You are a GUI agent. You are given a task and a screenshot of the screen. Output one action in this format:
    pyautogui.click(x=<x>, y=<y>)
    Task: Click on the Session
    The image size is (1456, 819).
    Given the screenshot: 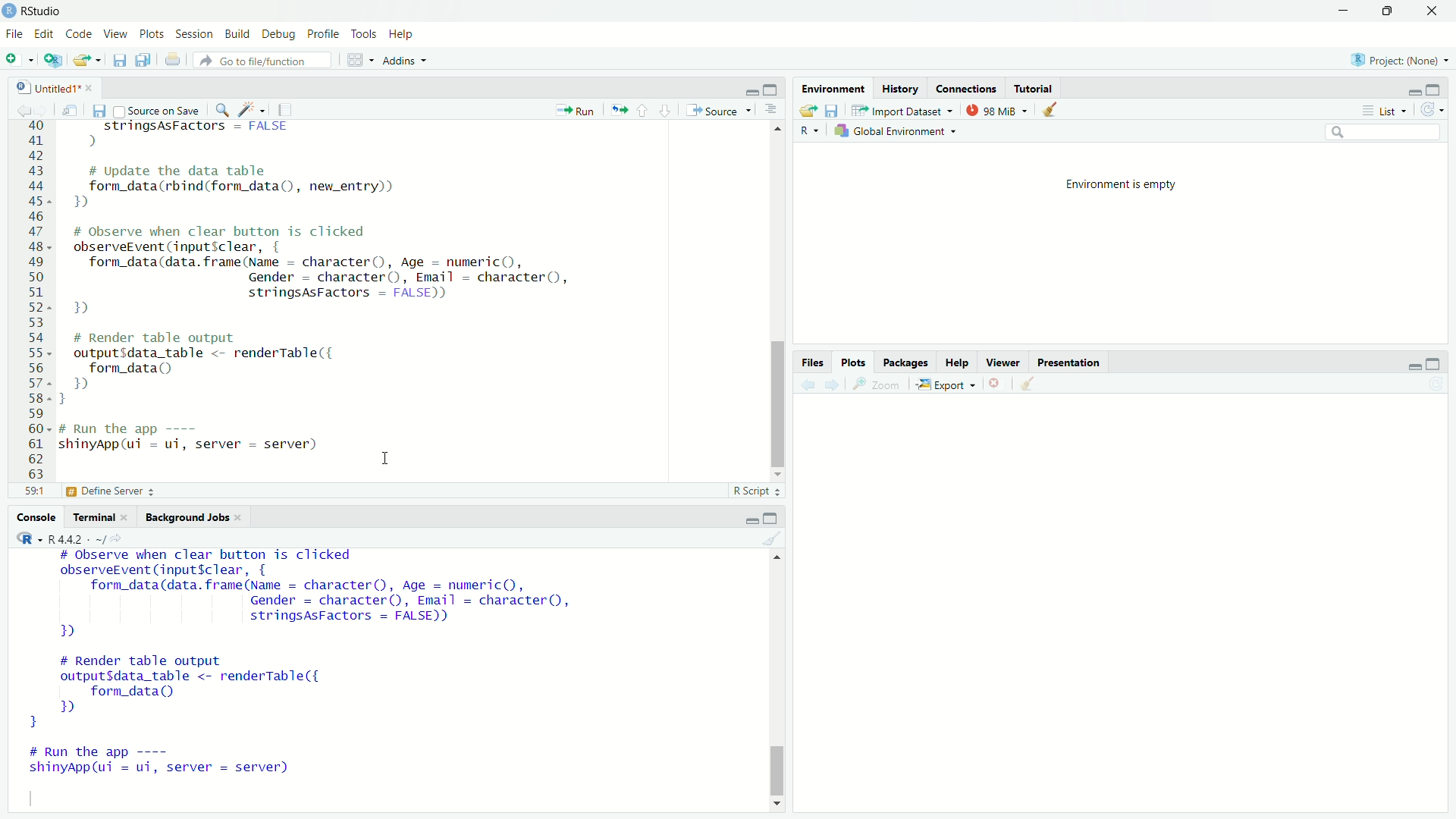 What is the action you would take?
    pyautogui.click(x=194, y=34)
    